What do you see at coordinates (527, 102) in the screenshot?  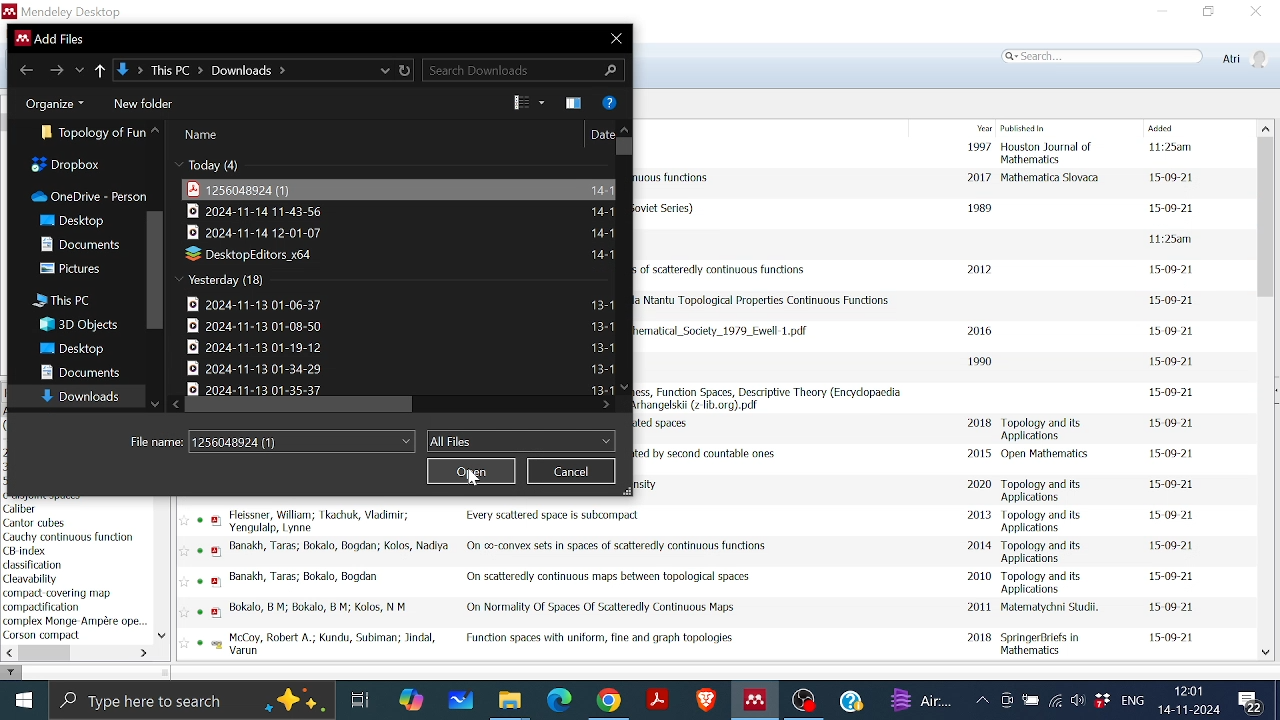 I see `View` at bounding box center [527, 102].